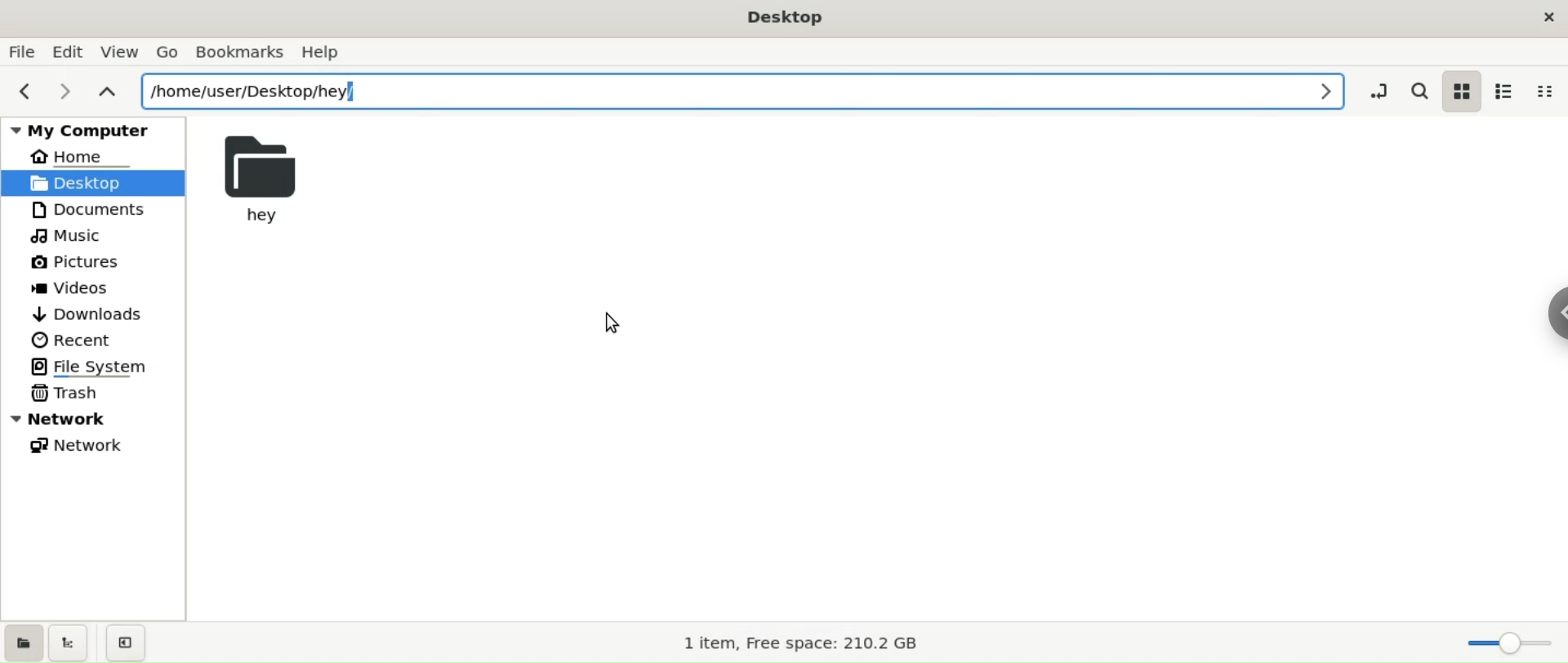  Describe the element at coordinates (1550, 90) in the screenshot. I see `compact view` at that location.